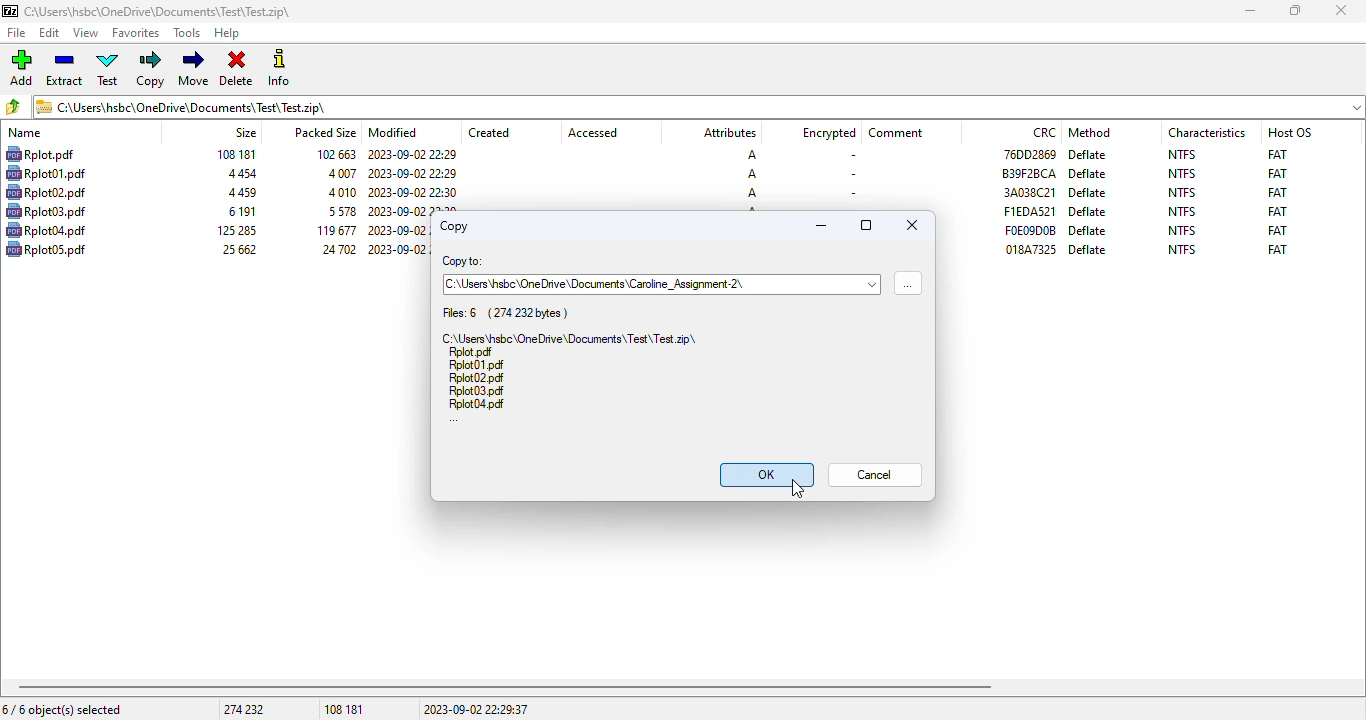  Describe the element at coordinates (396, 248) in the screenshot. I see `modified date & time` at that location.